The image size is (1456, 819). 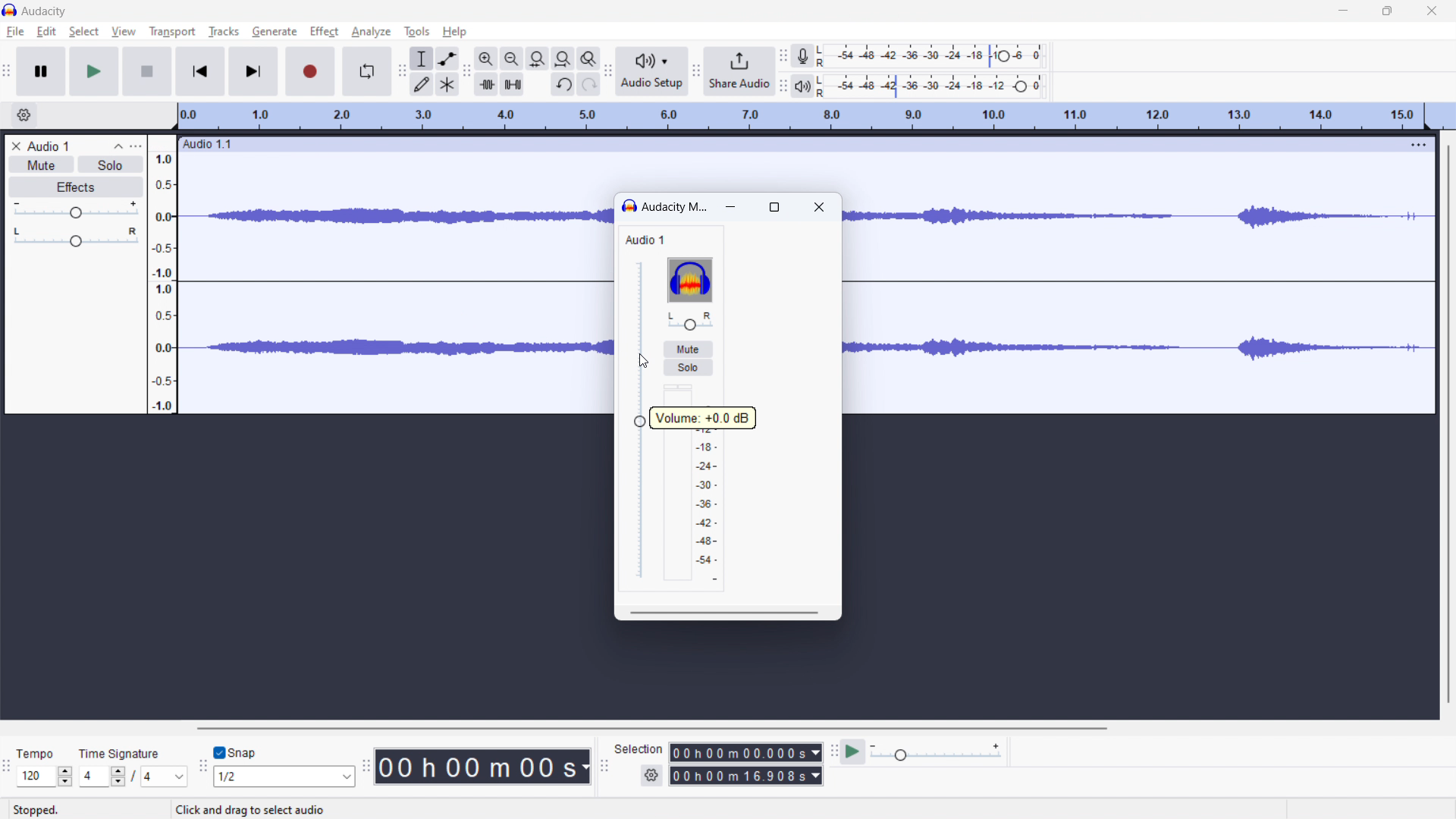 What do you see at coordinates (687, 349) in the screenshot?
I see `mute` at bounding box center [687, 349].